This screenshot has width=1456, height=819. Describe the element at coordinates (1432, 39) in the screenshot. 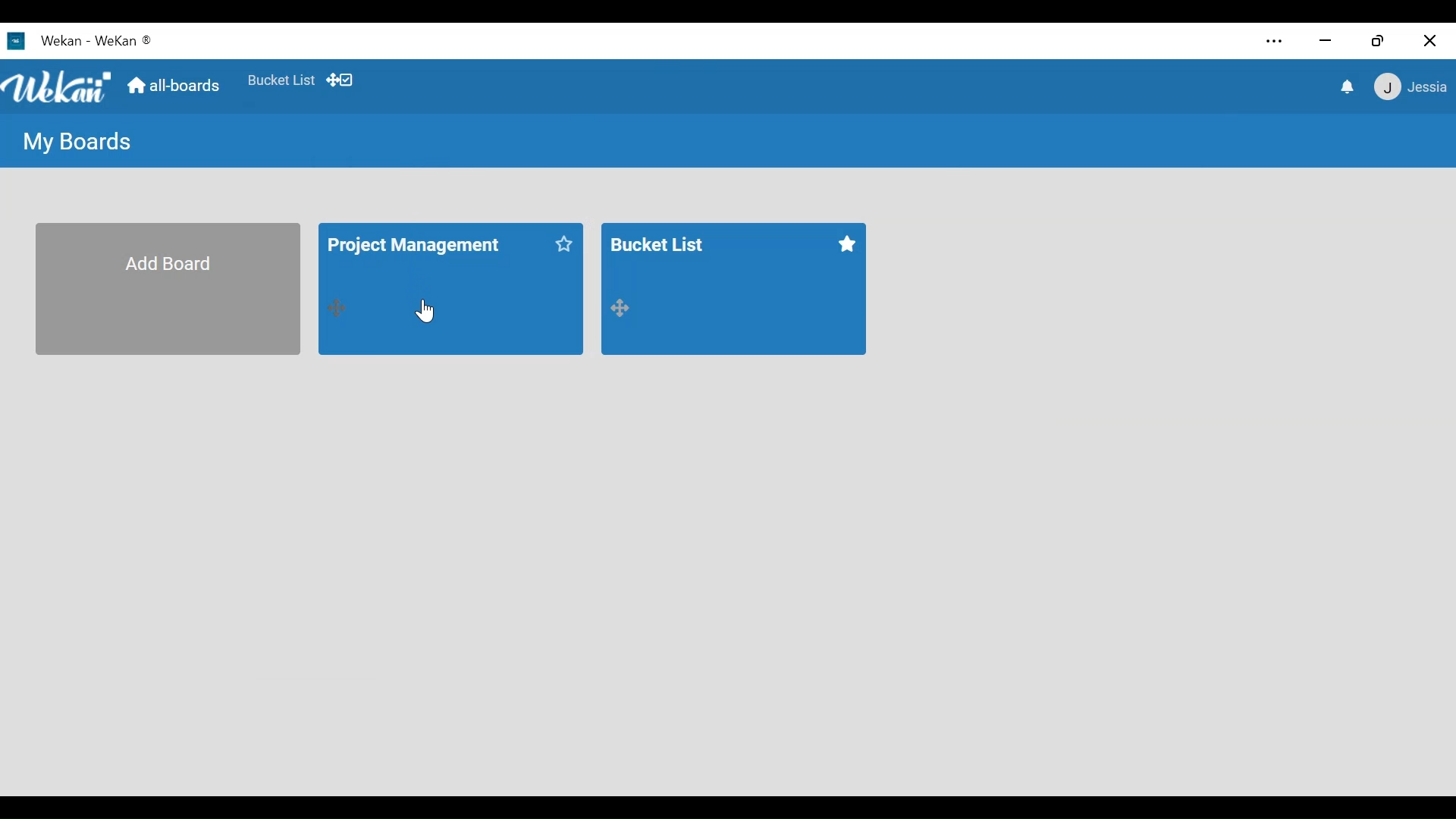

I see `Close` at that location.